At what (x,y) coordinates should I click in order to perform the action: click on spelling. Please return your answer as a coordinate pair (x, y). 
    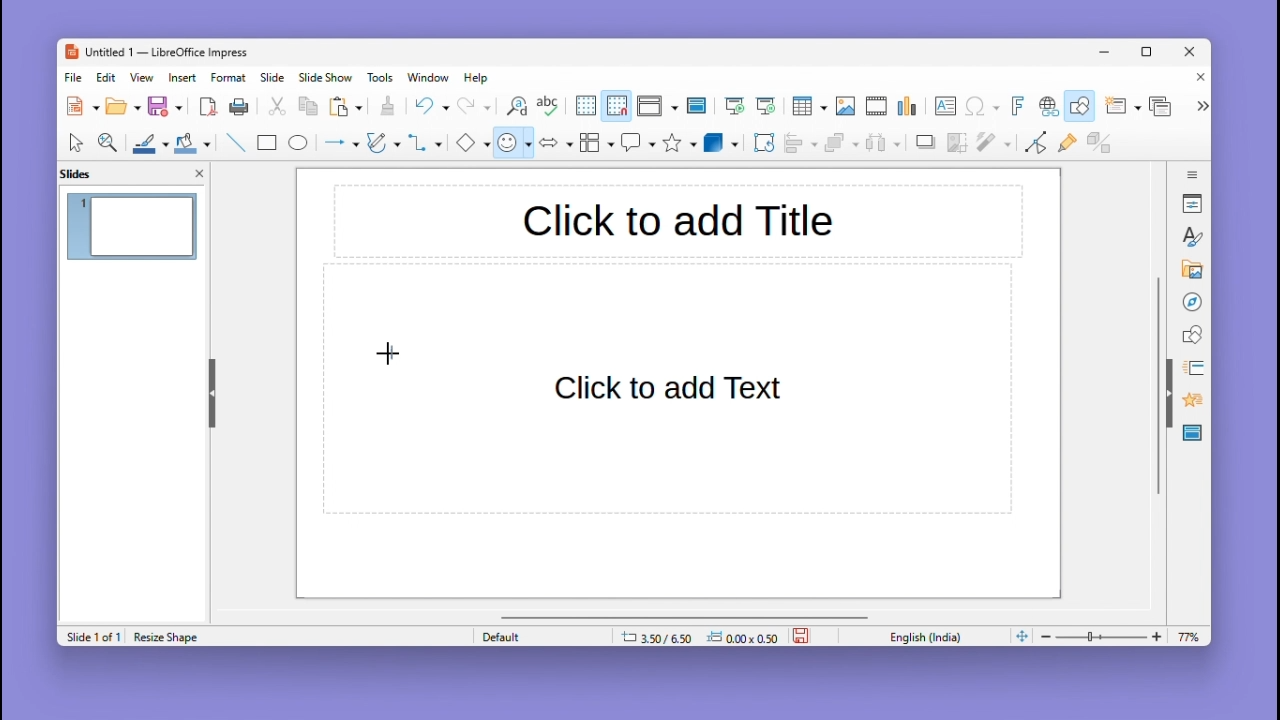
    Looking at the image, I should click on (548, 107).